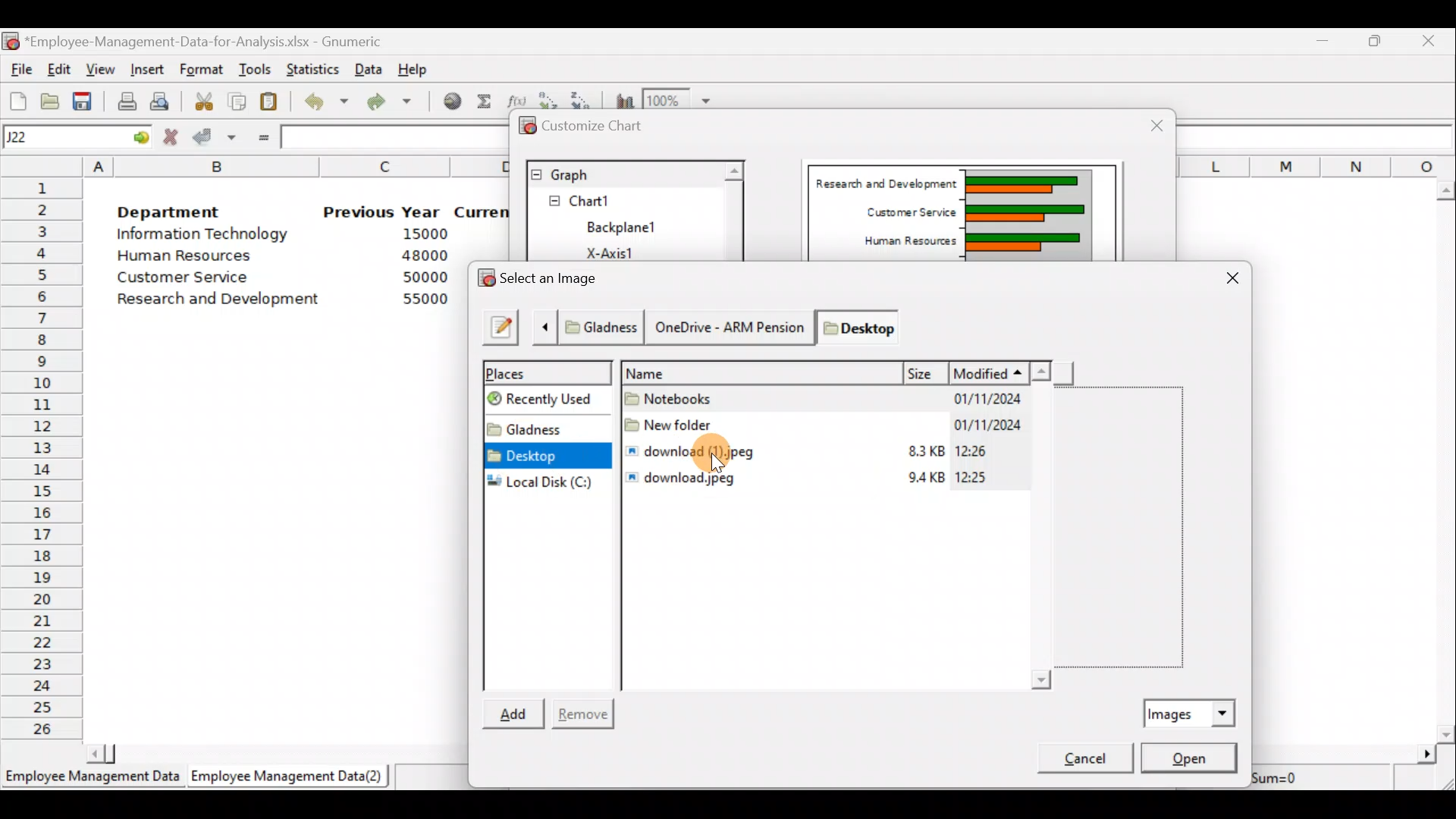 Image resolution: width=1456 pixels, height=819 pixels. What do you see at coordinates (1004, 370) in the screenshot?
I see `Modified` at bounding box center [1004, 370].